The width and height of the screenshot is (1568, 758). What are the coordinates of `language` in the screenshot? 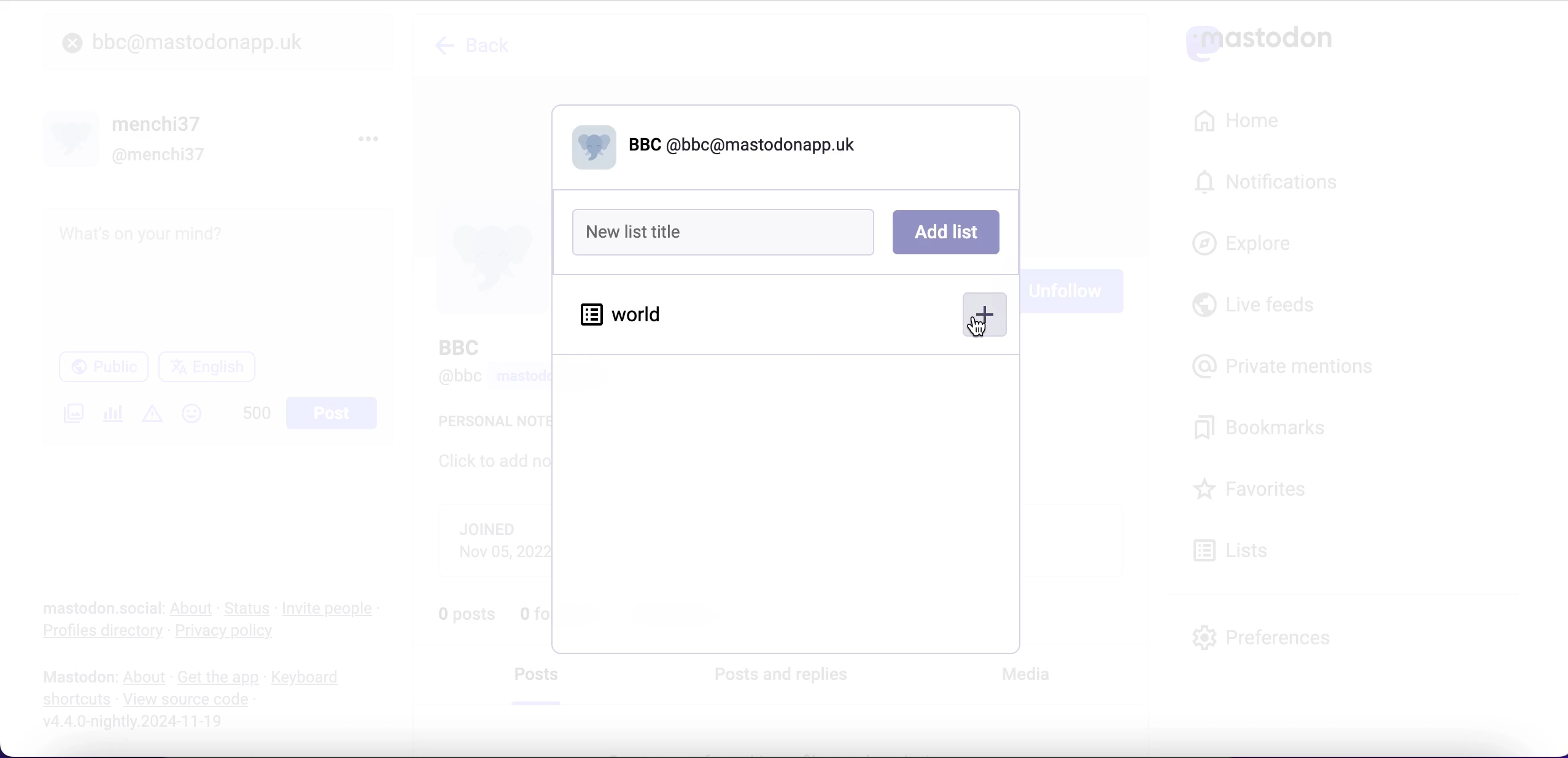 It's located at (212, 372).